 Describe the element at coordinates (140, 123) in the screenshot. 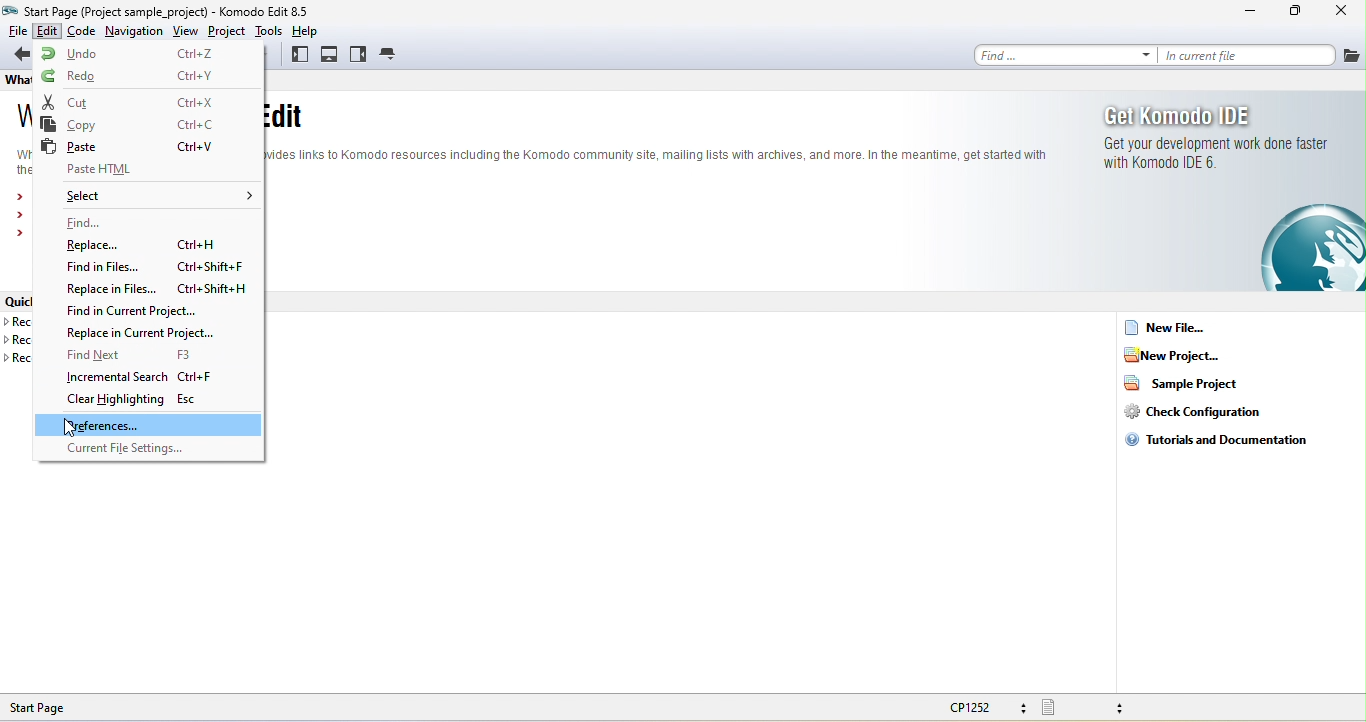

I see `copy` at that location.